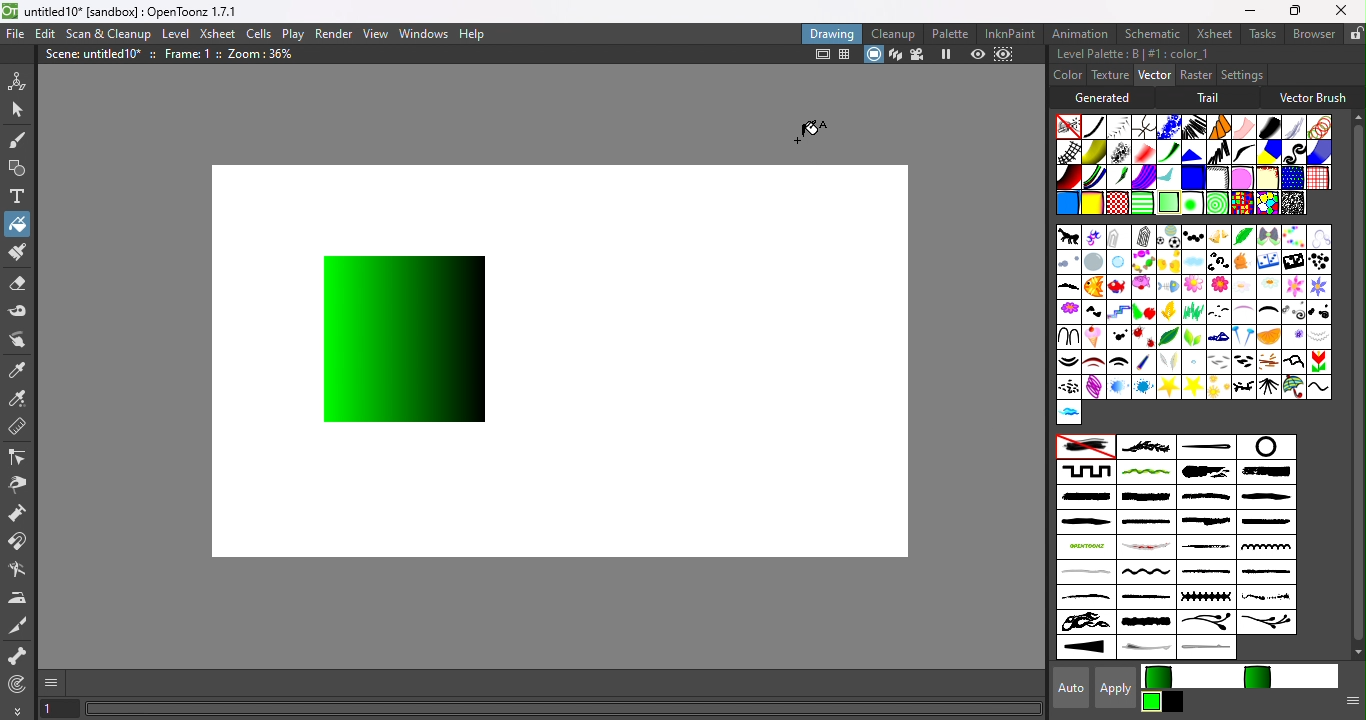  I want to click on Curl, so click(1295, 152).